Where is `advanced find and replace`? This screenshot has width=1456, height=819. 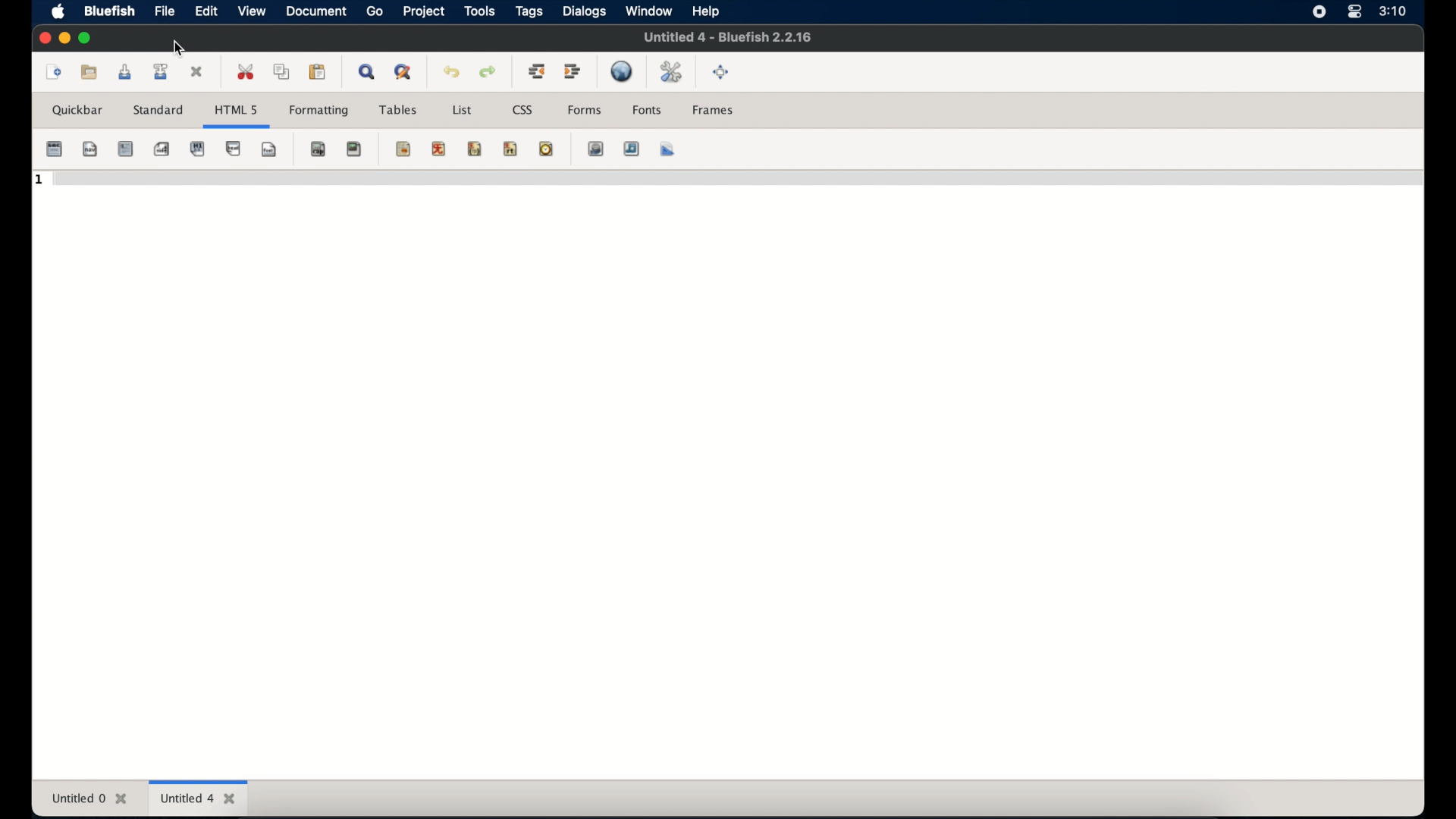
advanced find and replace is located at coordinates (404, 73).